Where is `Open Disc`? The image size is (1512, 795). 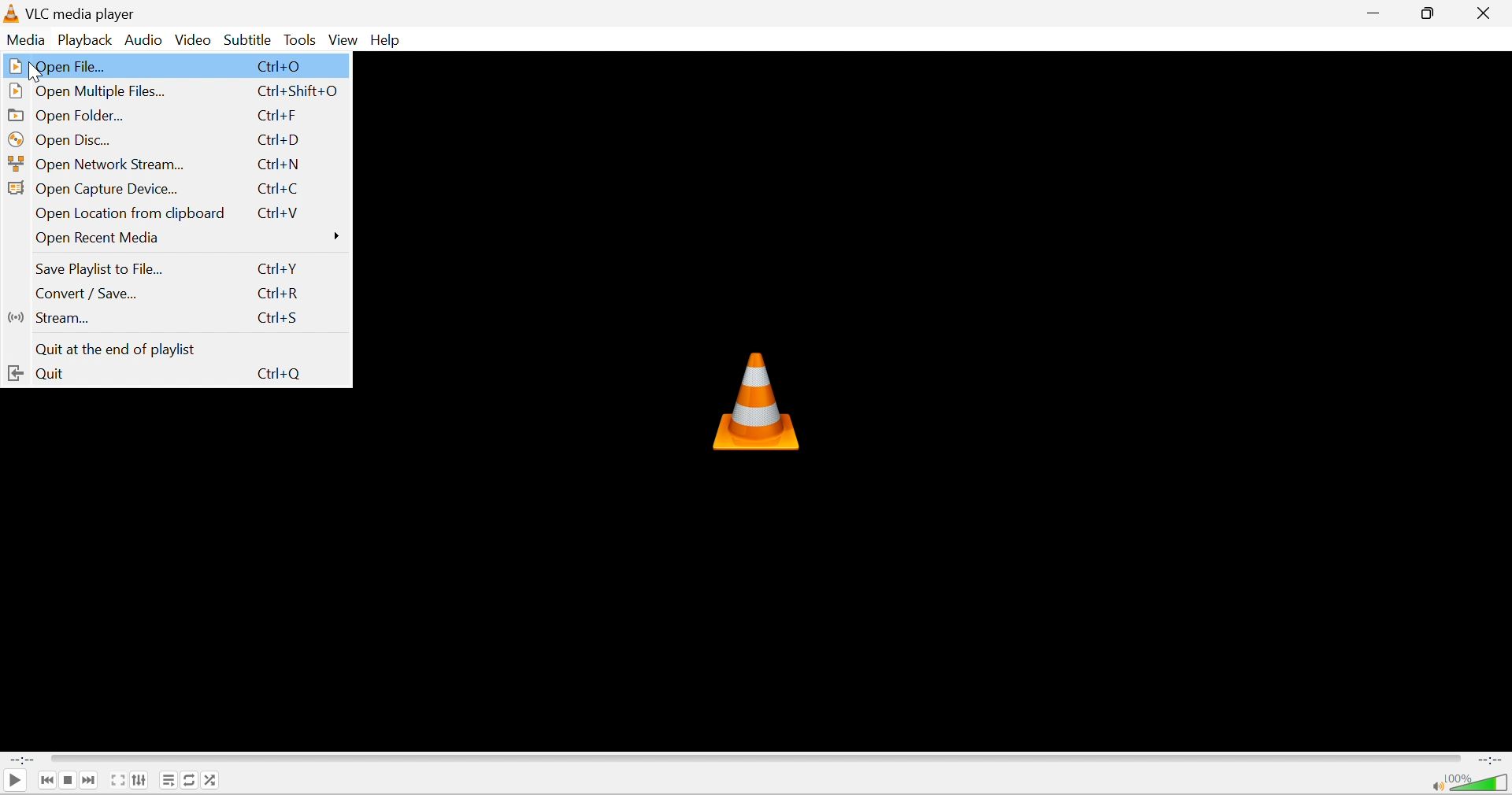 Open Disc is located at coordinates (62, 139).